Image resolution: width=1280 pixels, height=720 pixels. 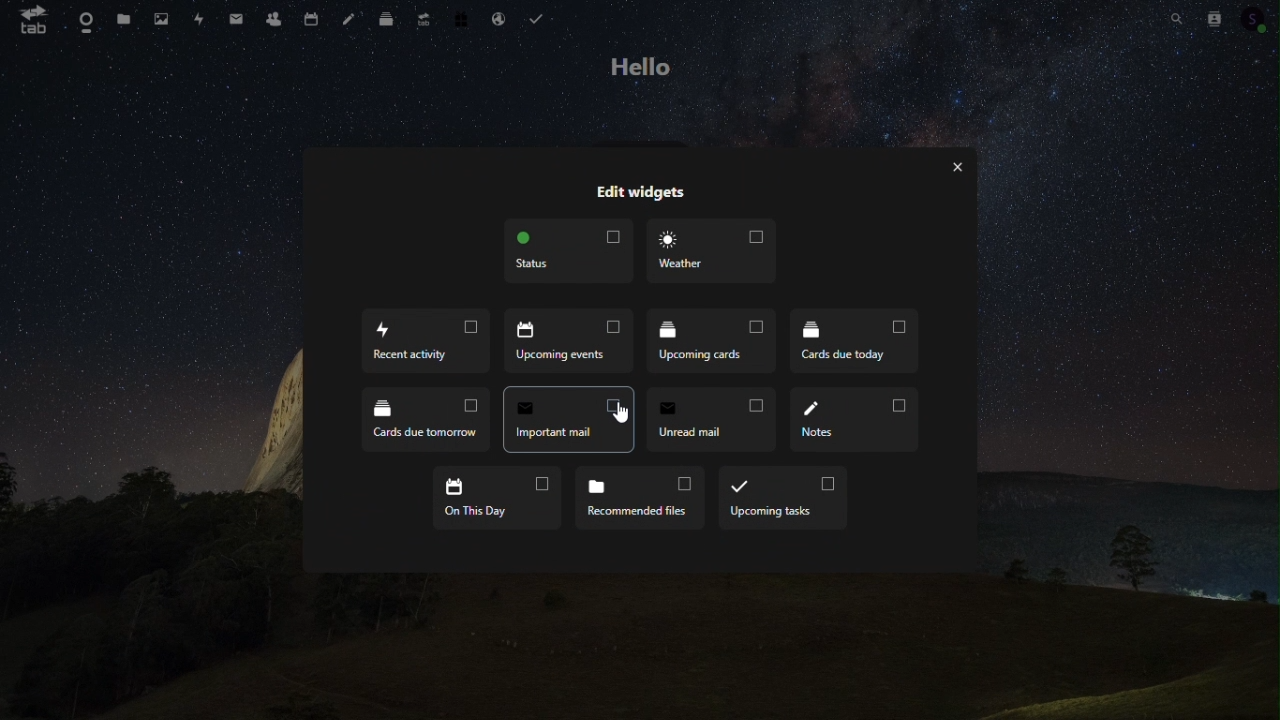 What do you see at coordinates (539, 19) in the screenshot?
I see `Task` at bounding box center [539, 19].